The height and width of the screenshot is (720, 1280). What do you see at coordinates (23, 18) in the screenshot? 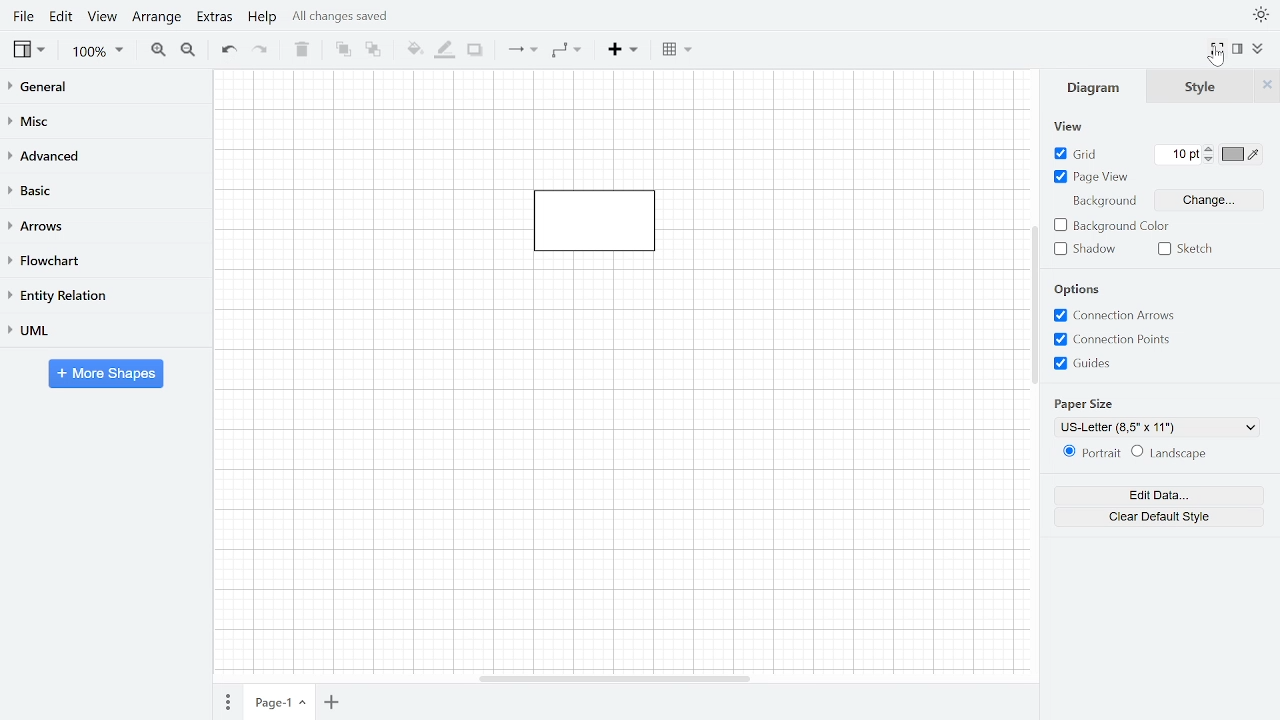
I see `File` at bounding box center [23, 18].